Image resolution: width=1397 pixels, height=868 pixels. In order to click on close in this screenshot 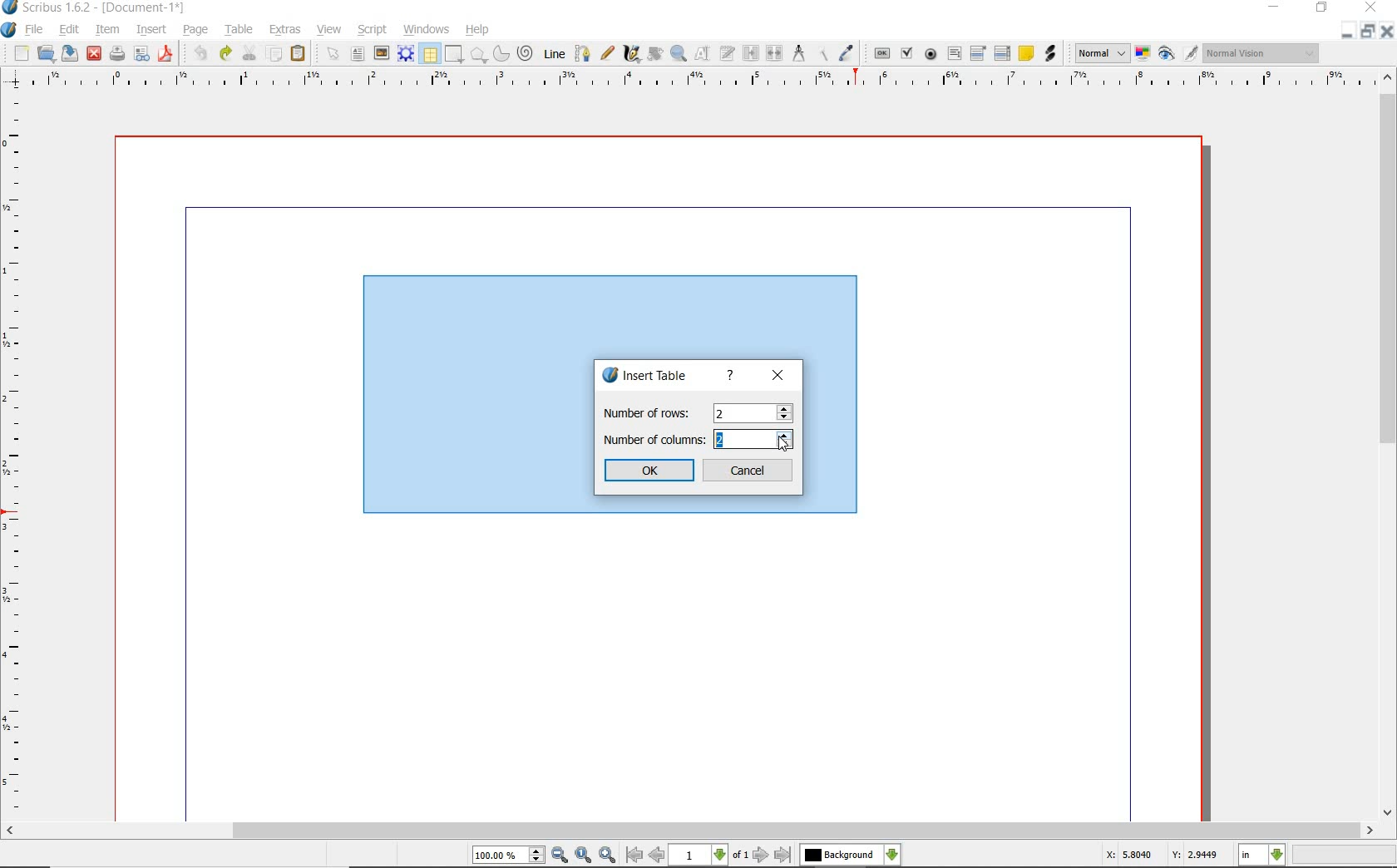, I will do `click(1386, 32)`.